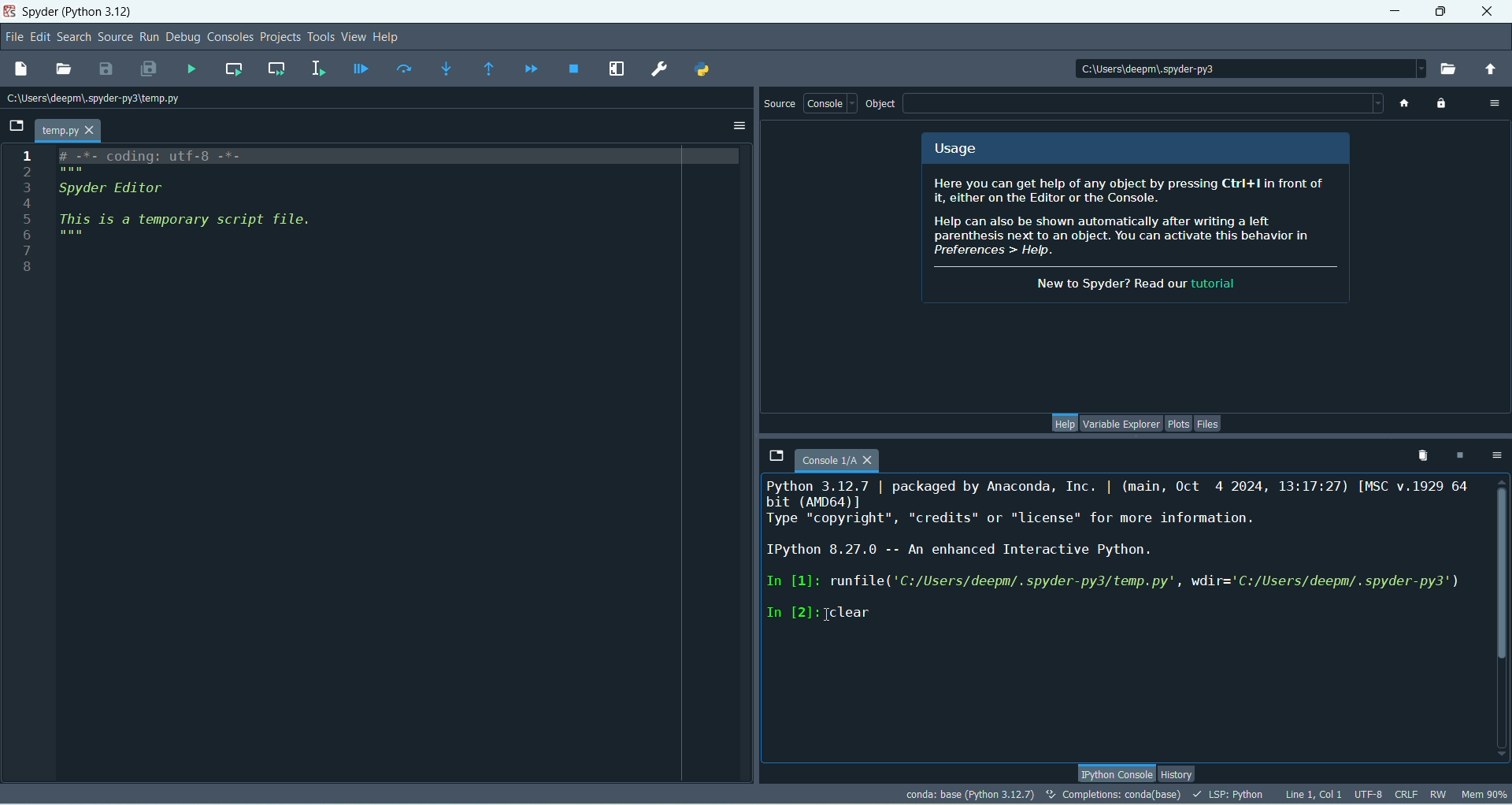 The width and height of the screenshot is (1512, 805). What do you see at coordinates (277, 69) in the screenshot?
I see `run current cell and go to next one` at bounding box center [277, 69].